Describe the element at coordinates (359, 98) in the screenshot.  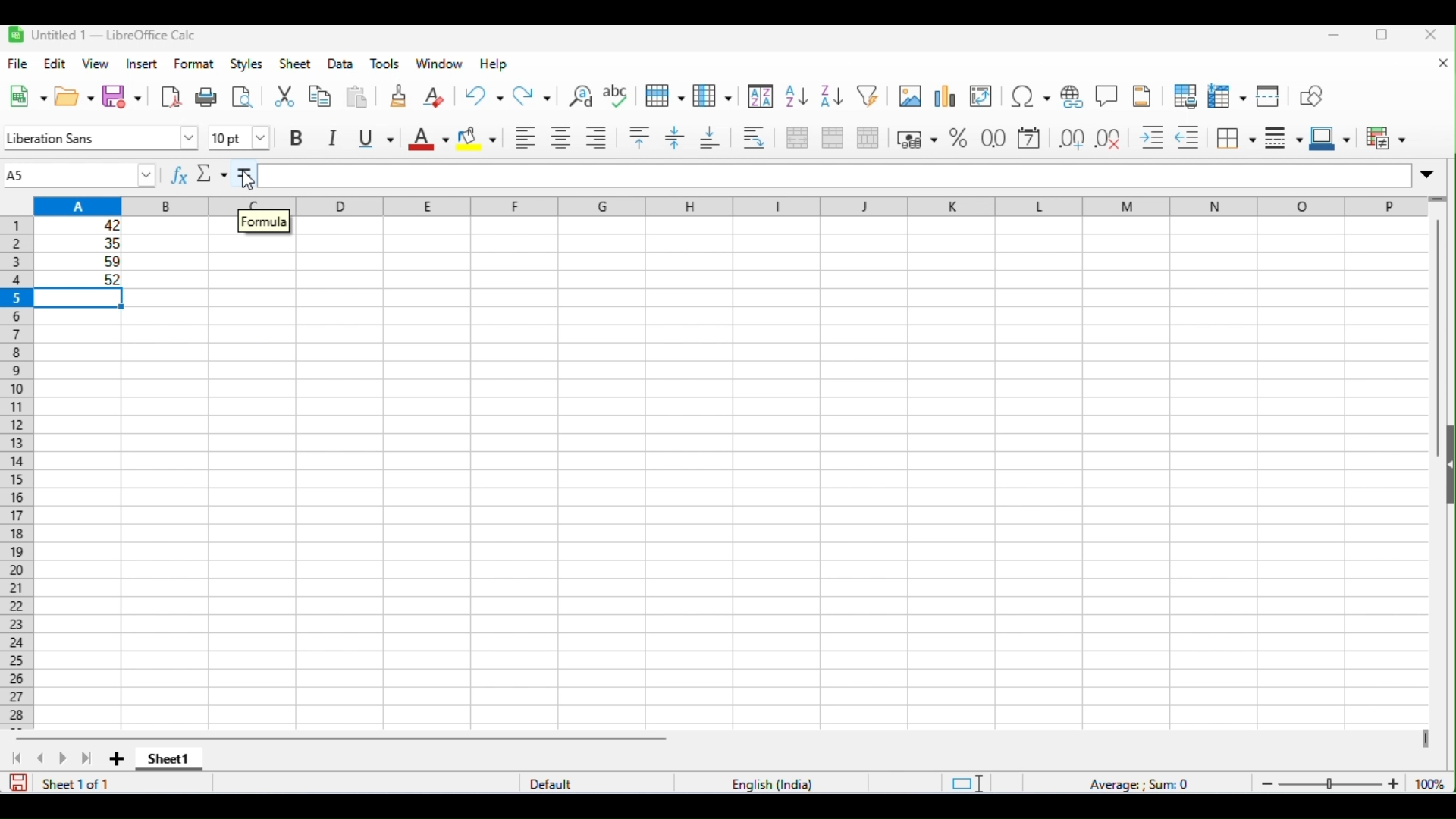
I see `paste` at that location.